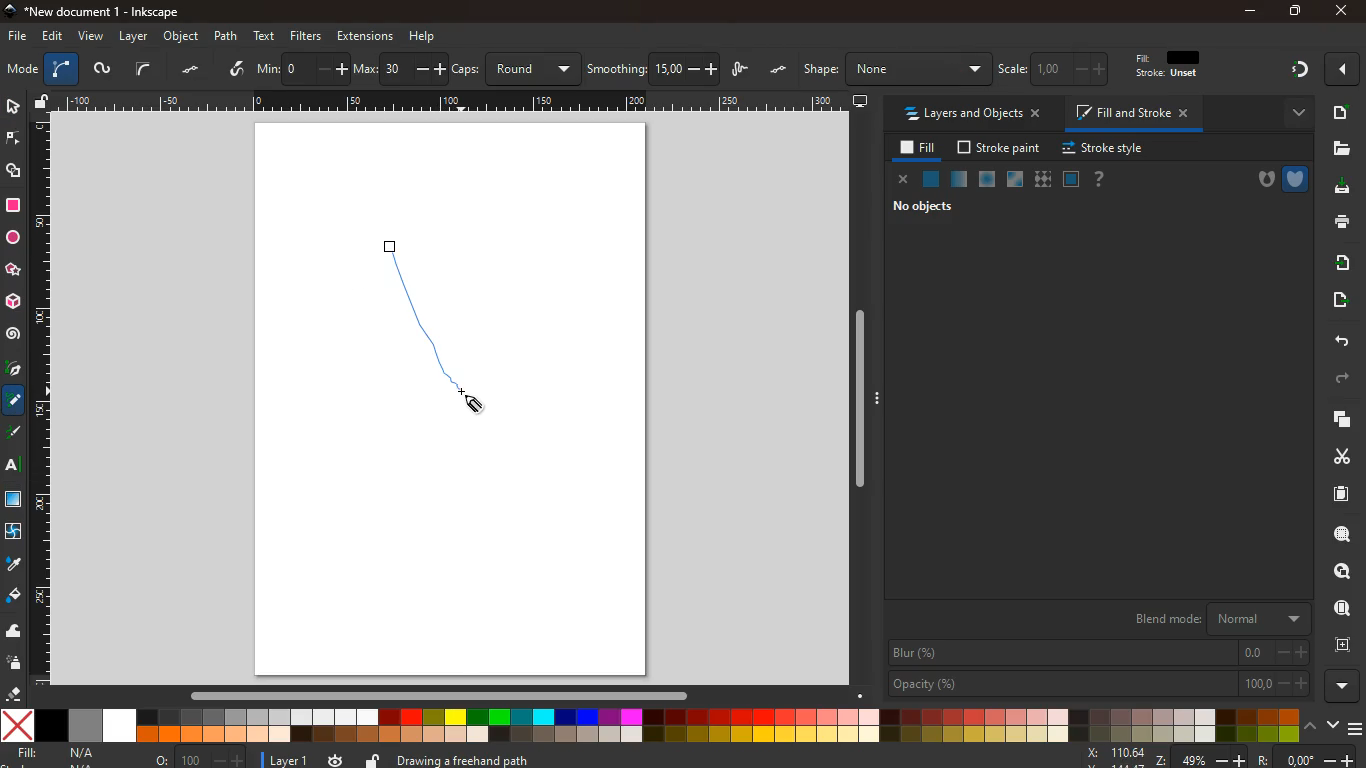 Image resolution: width=1366 pixels, height=768 pixels. I want to click on min, so click(302, 67).